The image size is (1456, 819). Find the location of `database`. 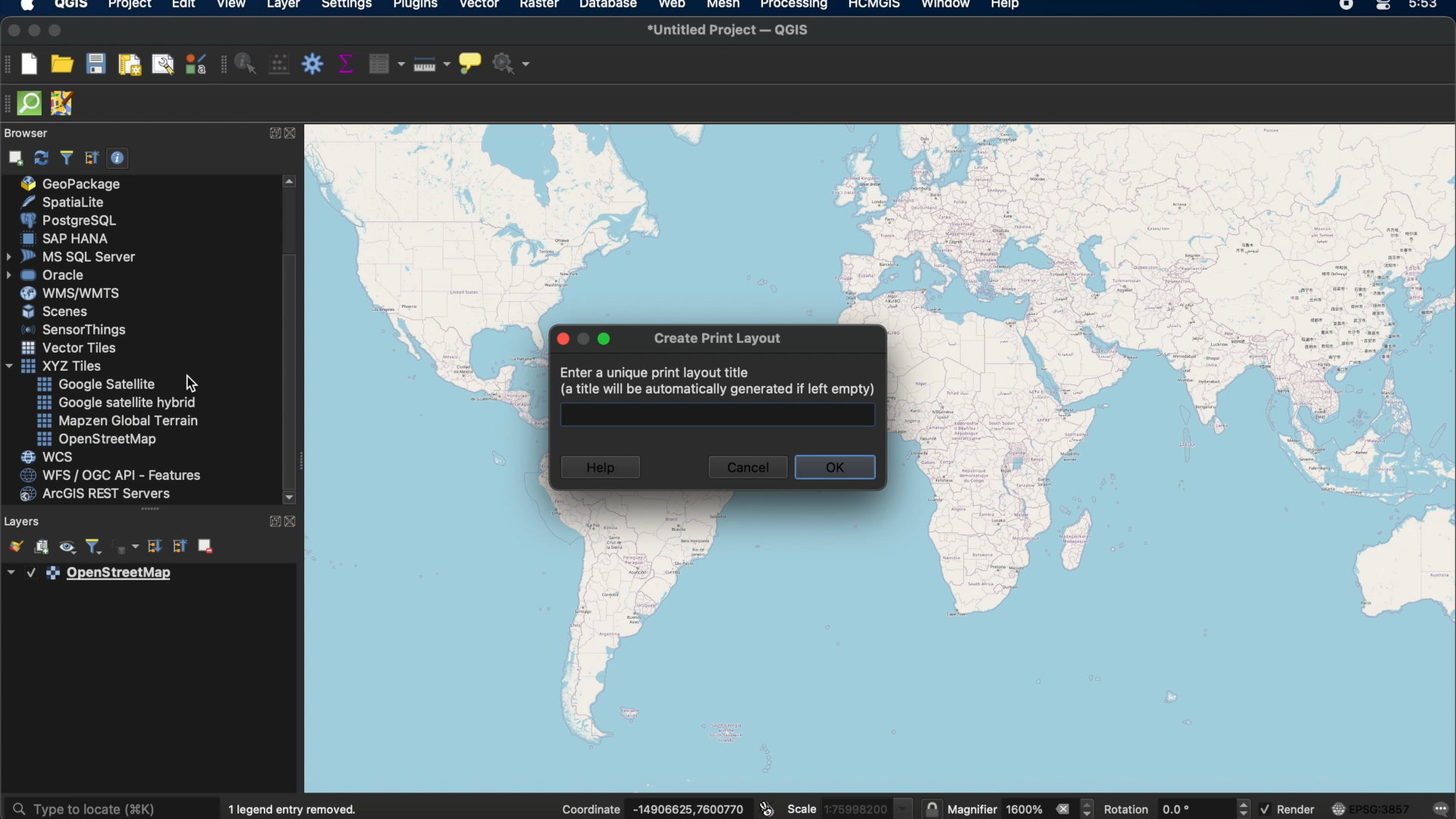

database is located at coordinates (607, 6).